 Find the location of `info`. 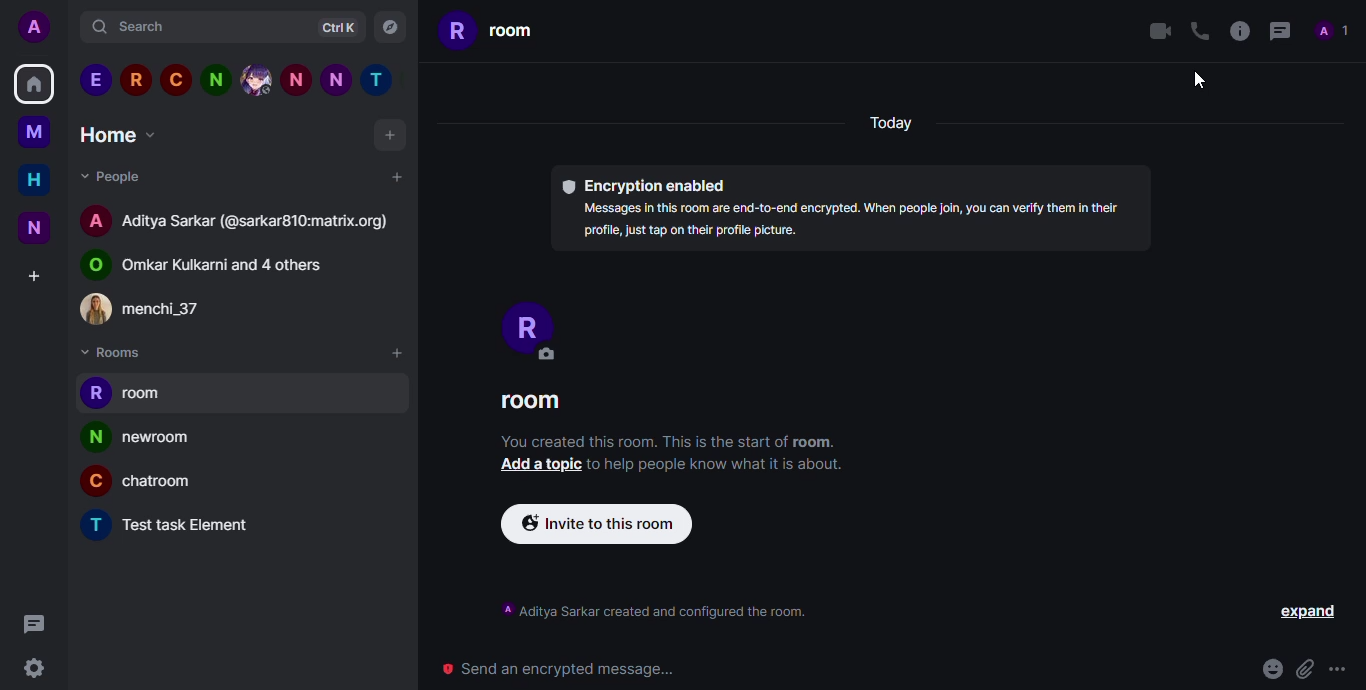

info is located at coordinates (1238, 31).